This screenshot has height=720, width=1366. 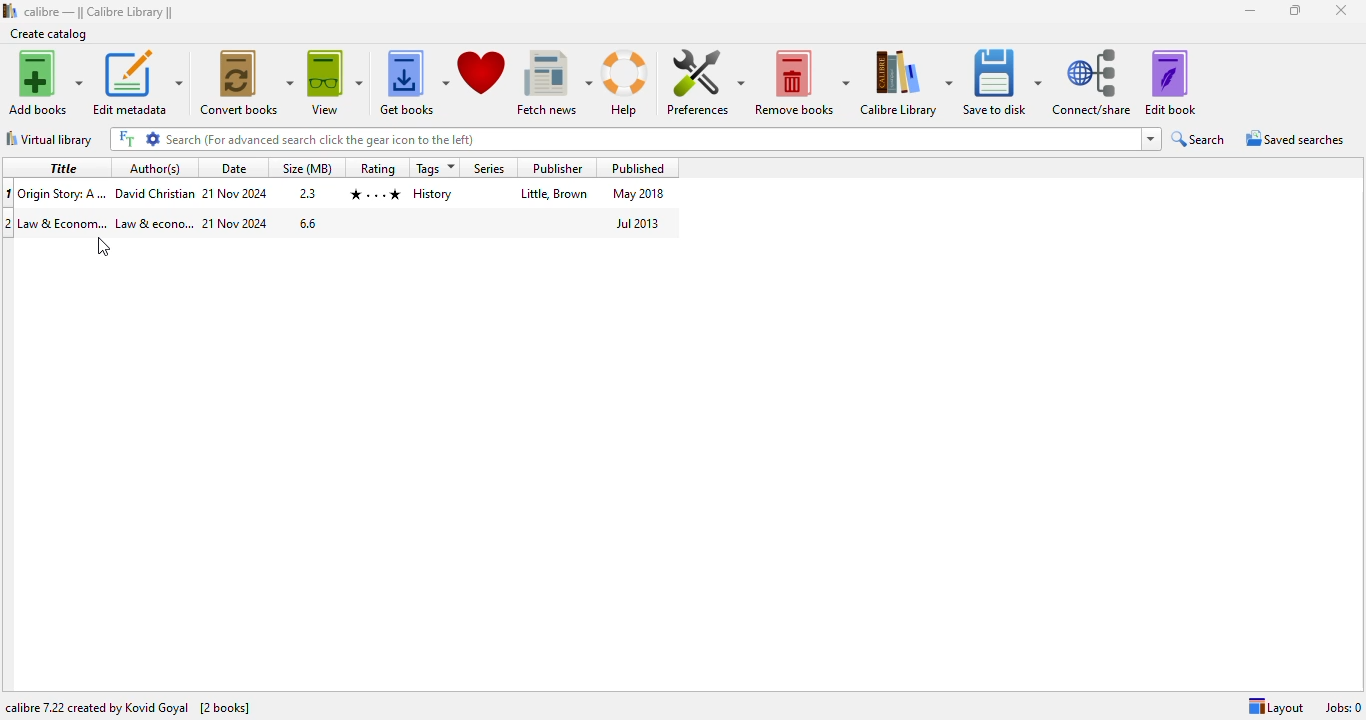 I want to click on 6.6 mbs, so click(x=307, y=224).